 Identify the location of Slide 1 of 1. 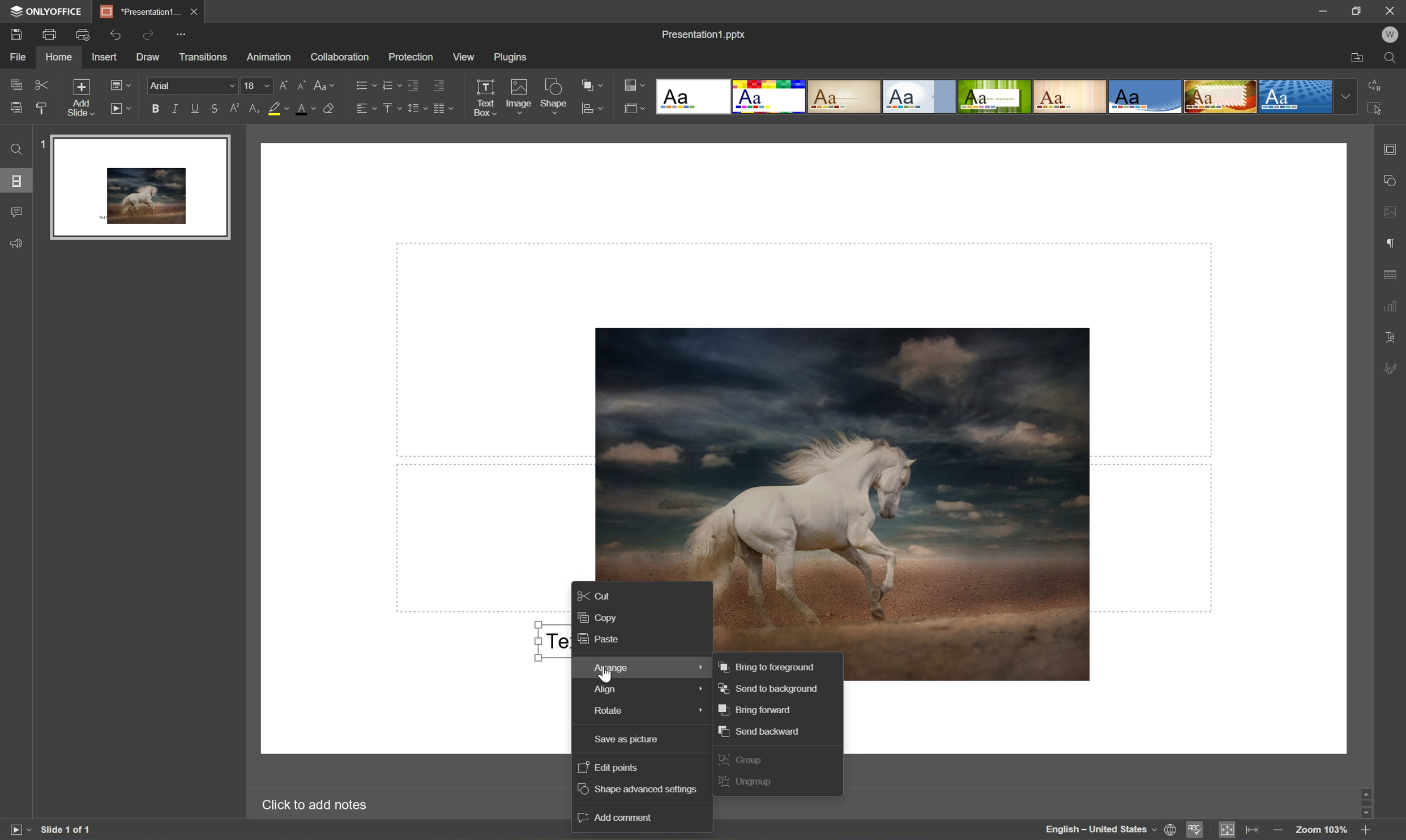
(66, 832).